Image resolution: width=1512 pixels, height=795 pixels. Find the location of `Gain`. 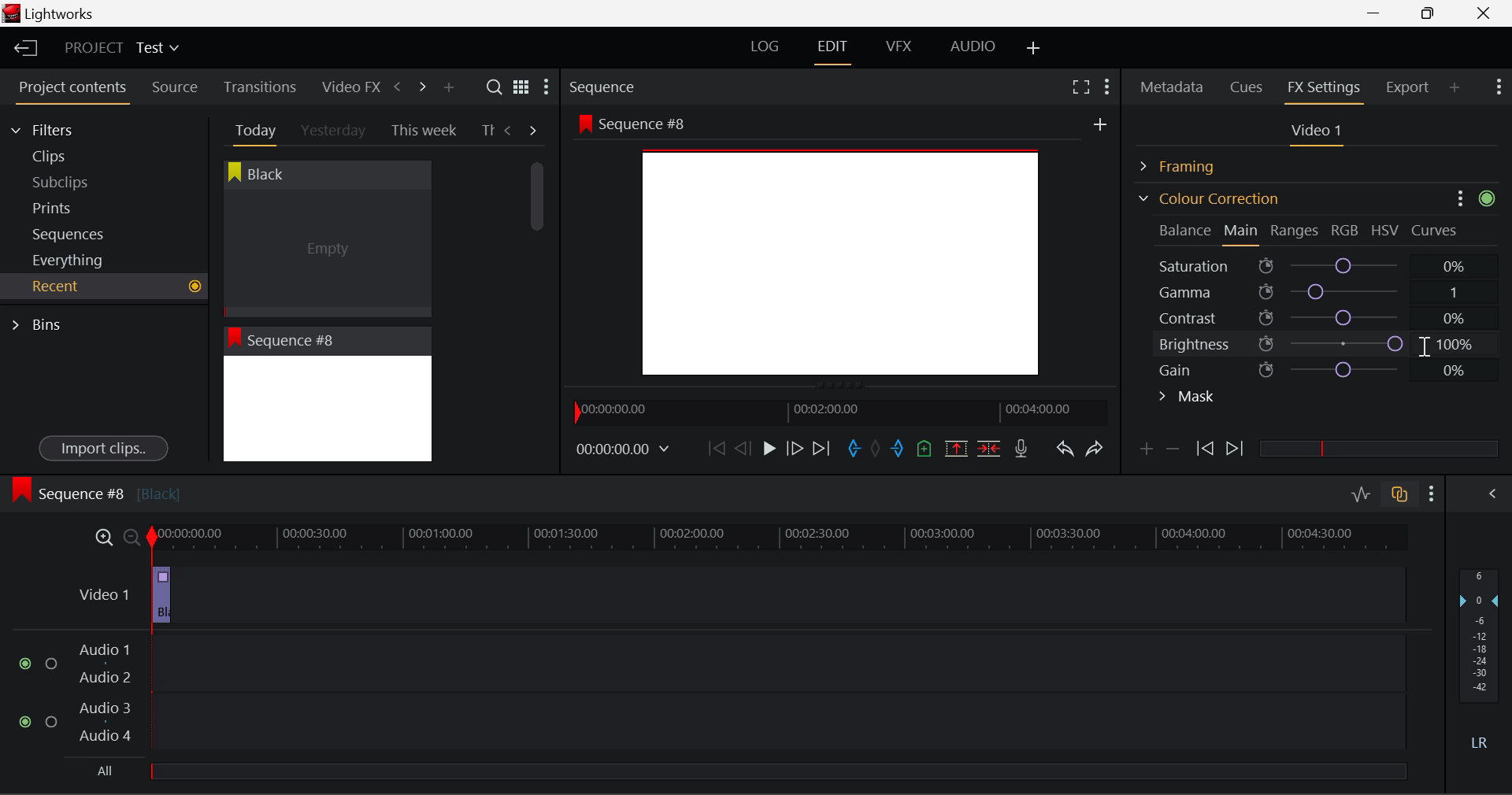

Gain is located at coordinates (1332, 367).